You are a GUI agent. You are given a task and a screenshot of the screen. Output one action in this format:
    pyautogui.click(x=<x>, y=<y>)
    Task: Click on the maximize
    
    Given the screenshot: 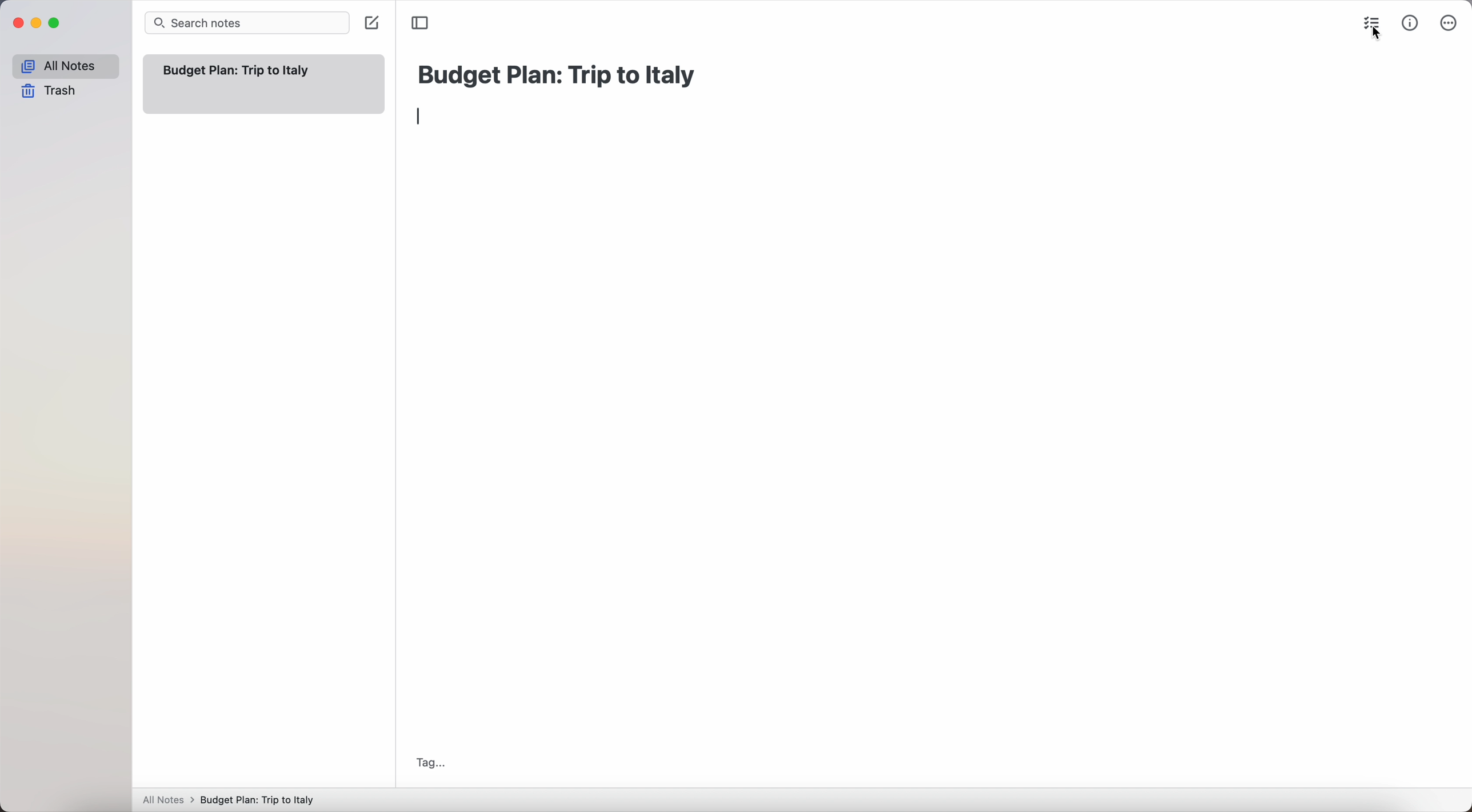 What is the action you would take?
    pyautogui.click(x=57, y=23)
    